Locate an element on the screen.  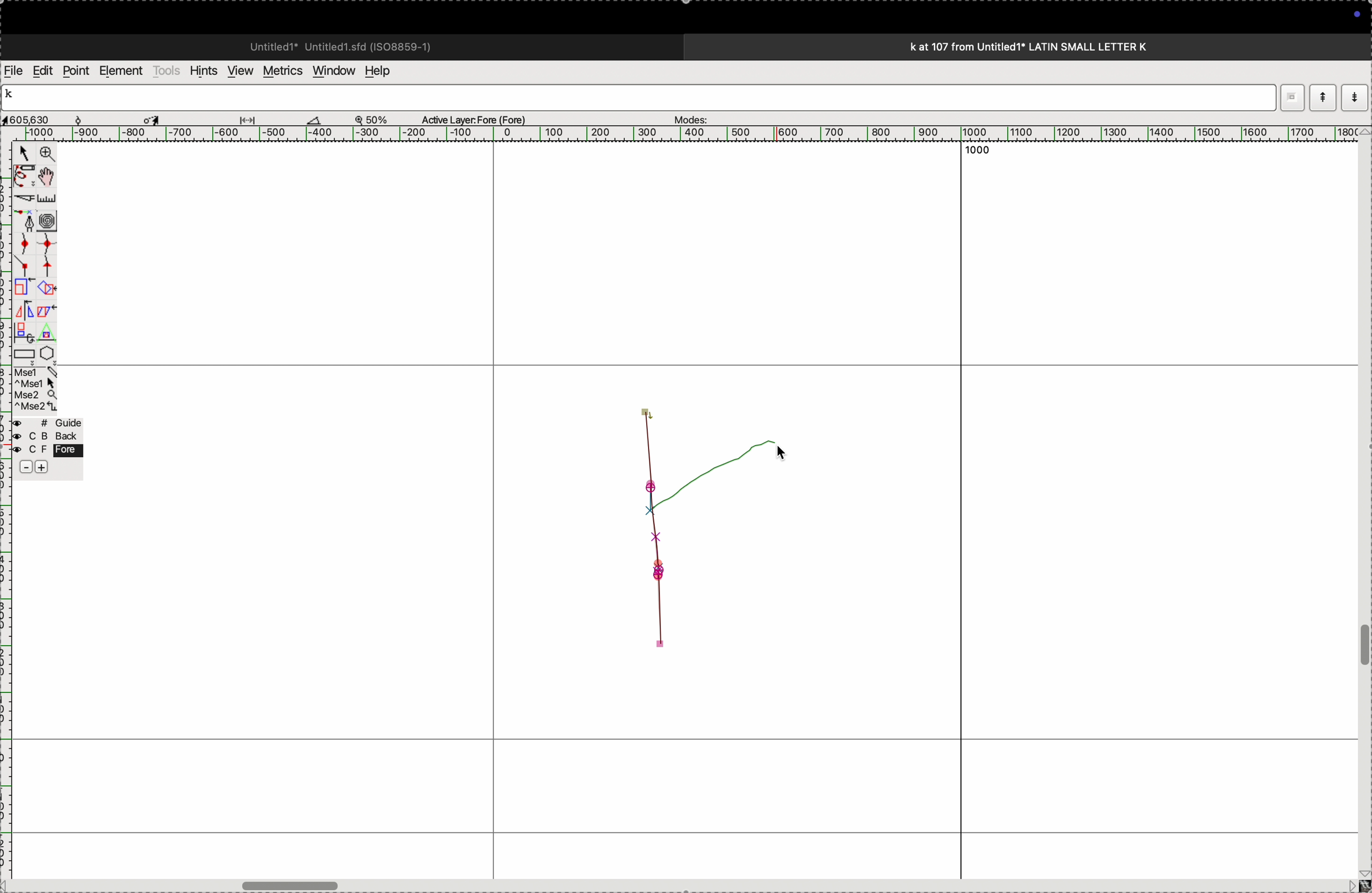
view is located at coordinates (237, 71).